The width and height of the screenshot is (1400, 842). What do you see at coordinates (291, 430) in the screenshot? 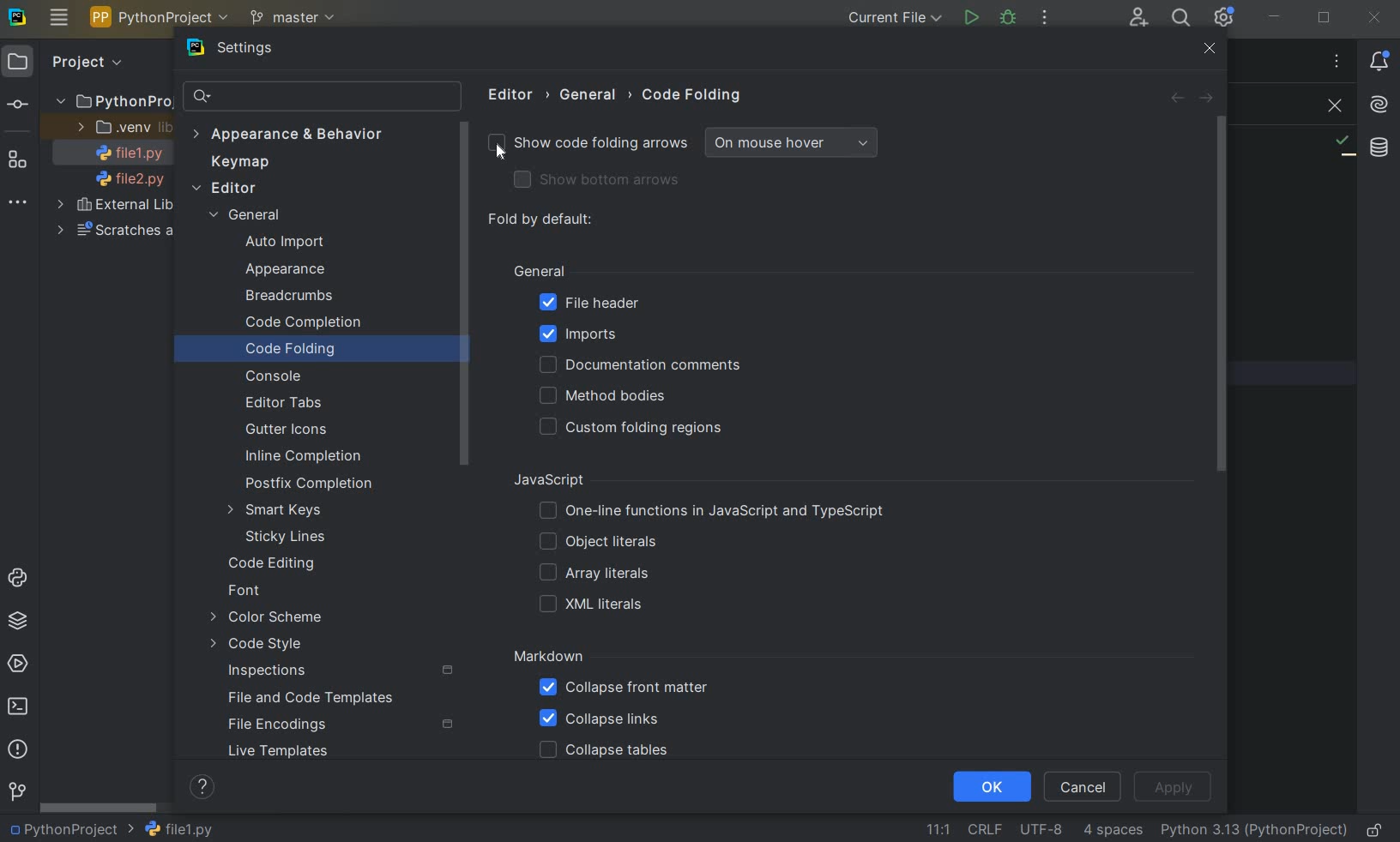
I see `GUTTER ICONS` at bounding box center [291, 430].